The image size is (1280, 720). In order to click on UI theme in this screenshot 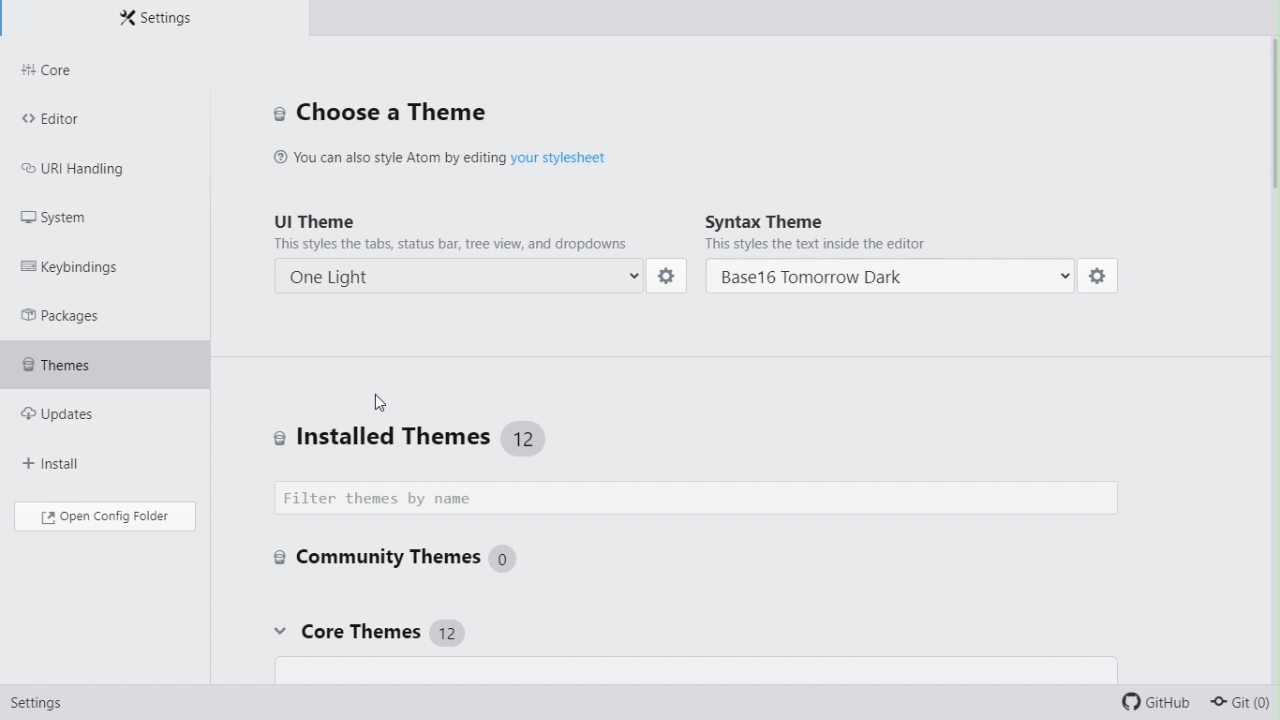, I will do `click(447, 217)`.